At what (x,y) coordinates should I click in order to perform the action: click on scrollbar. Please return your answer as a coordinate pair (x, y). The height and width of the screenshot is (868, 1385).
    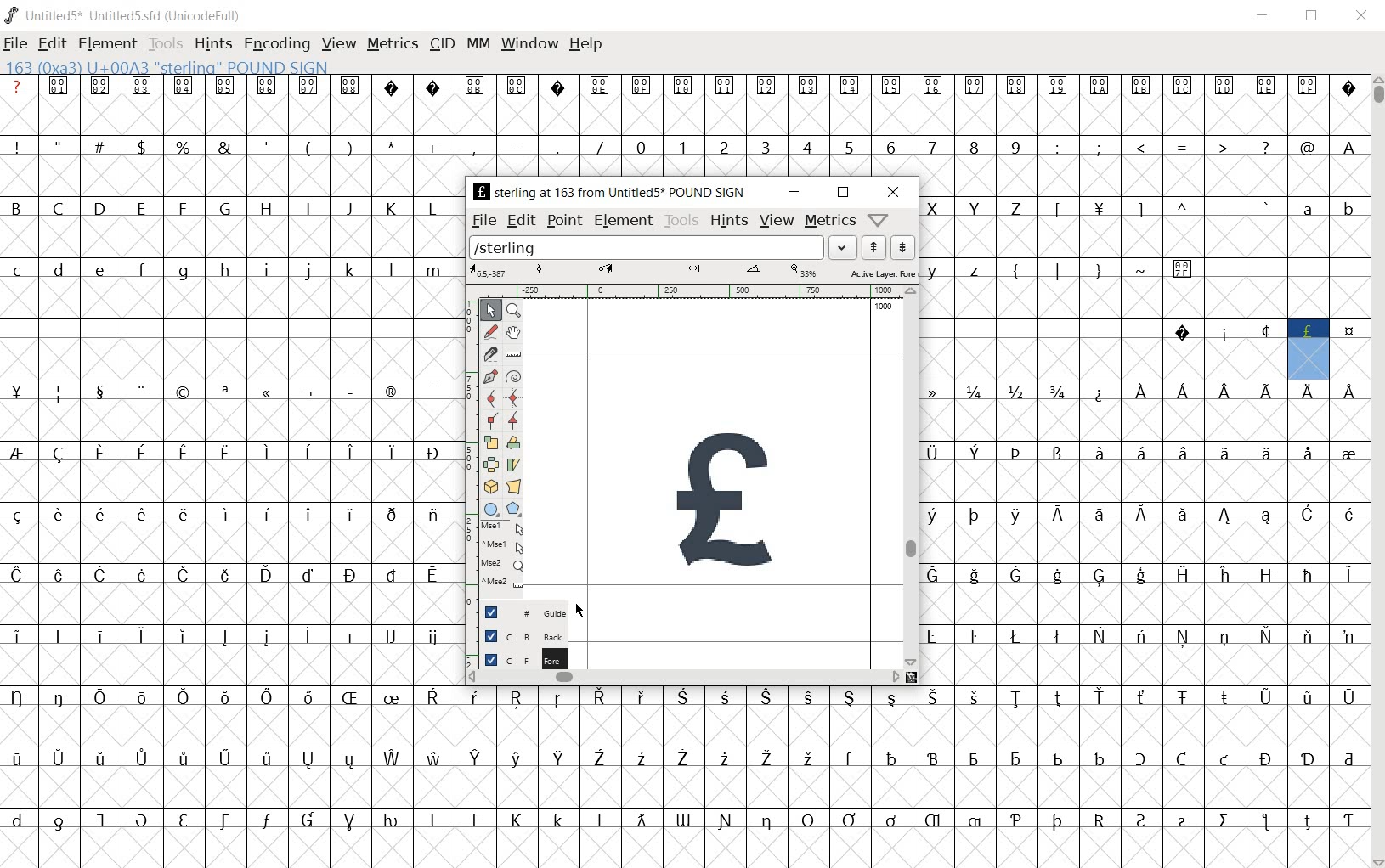
    Looking at the image, I should click on (685, 677).